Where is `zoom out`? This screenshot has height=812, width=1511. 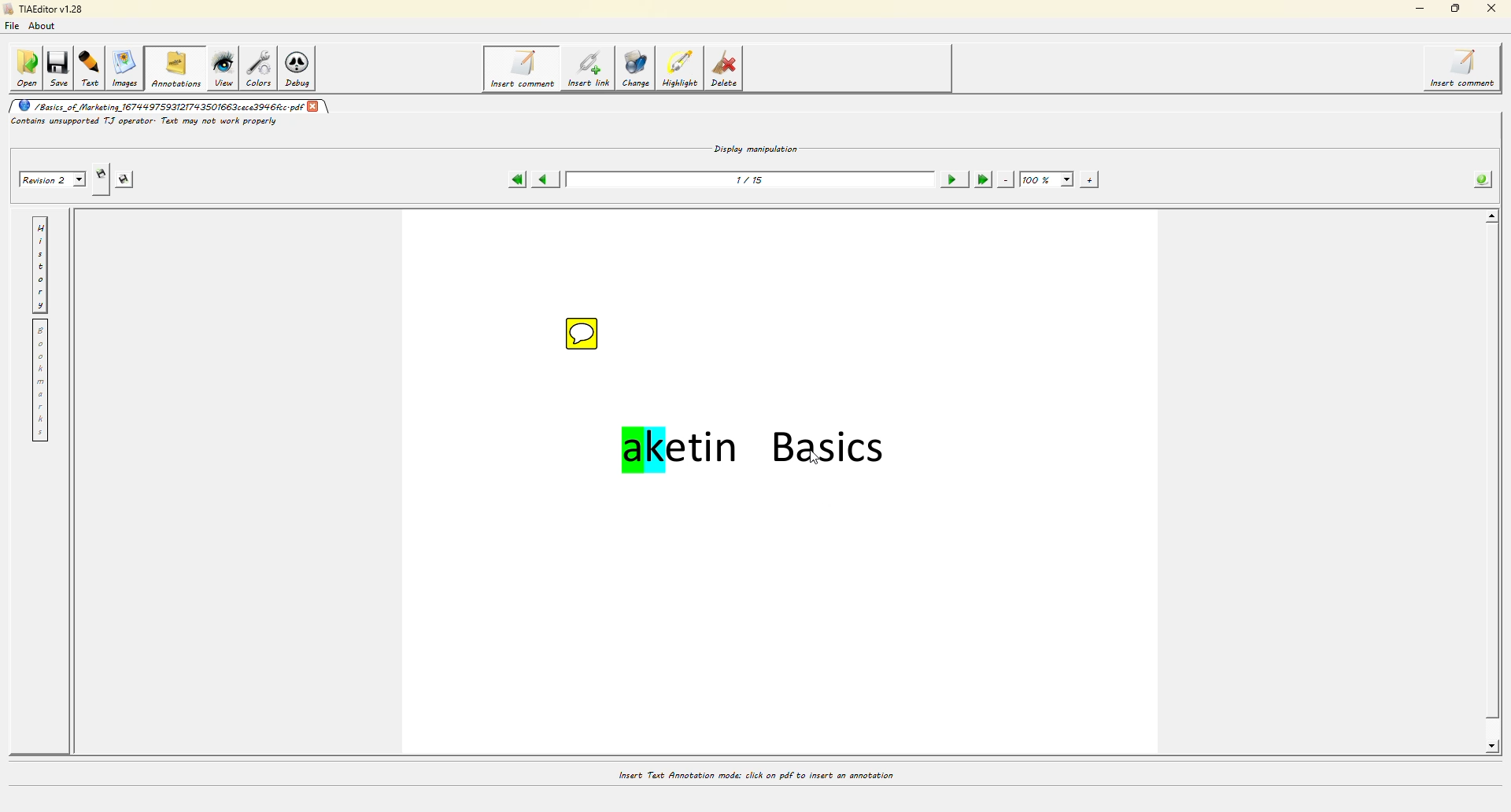 zoom out is located at coordinates (1006, 179).